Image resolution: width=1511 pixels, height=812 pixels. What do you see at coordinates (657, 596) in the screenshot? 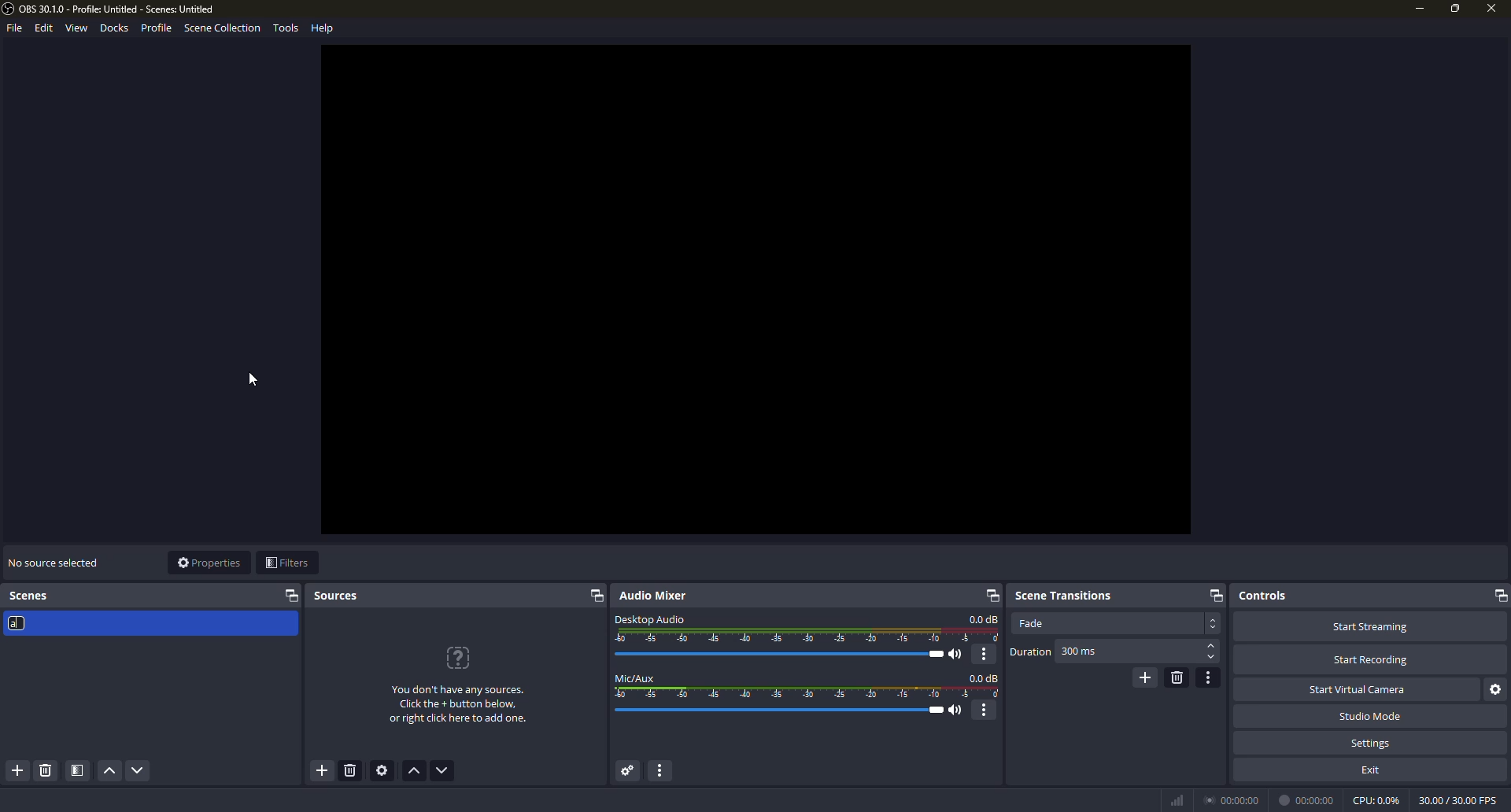
I see `audio mixer` at bounding box center [657, 596].